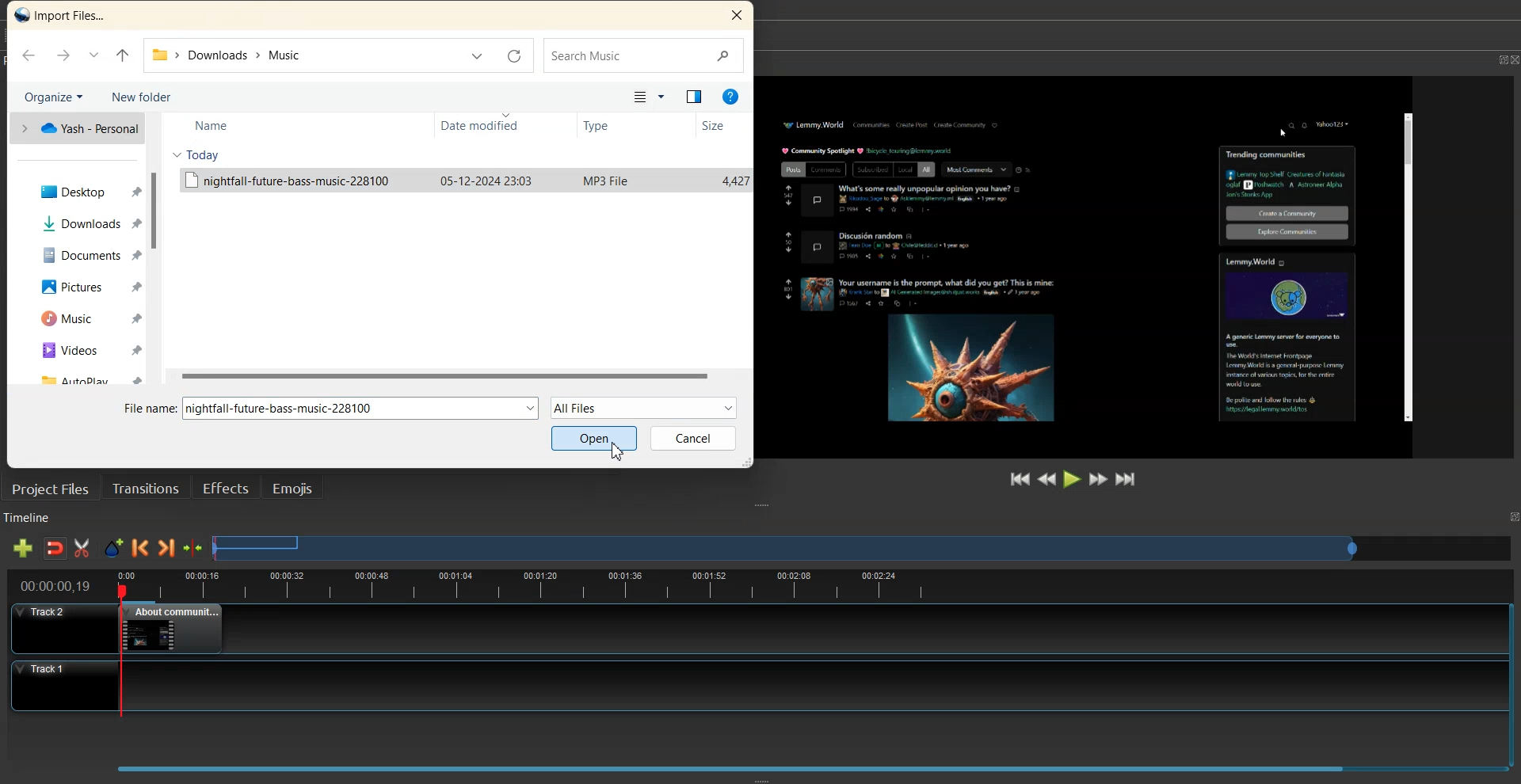 Image resolution: width=1521 pixels, height=784 pixels. What do you see at coordinates (623, 124) in the screenshot?
I see `Type` at bounding box center [623, 124].